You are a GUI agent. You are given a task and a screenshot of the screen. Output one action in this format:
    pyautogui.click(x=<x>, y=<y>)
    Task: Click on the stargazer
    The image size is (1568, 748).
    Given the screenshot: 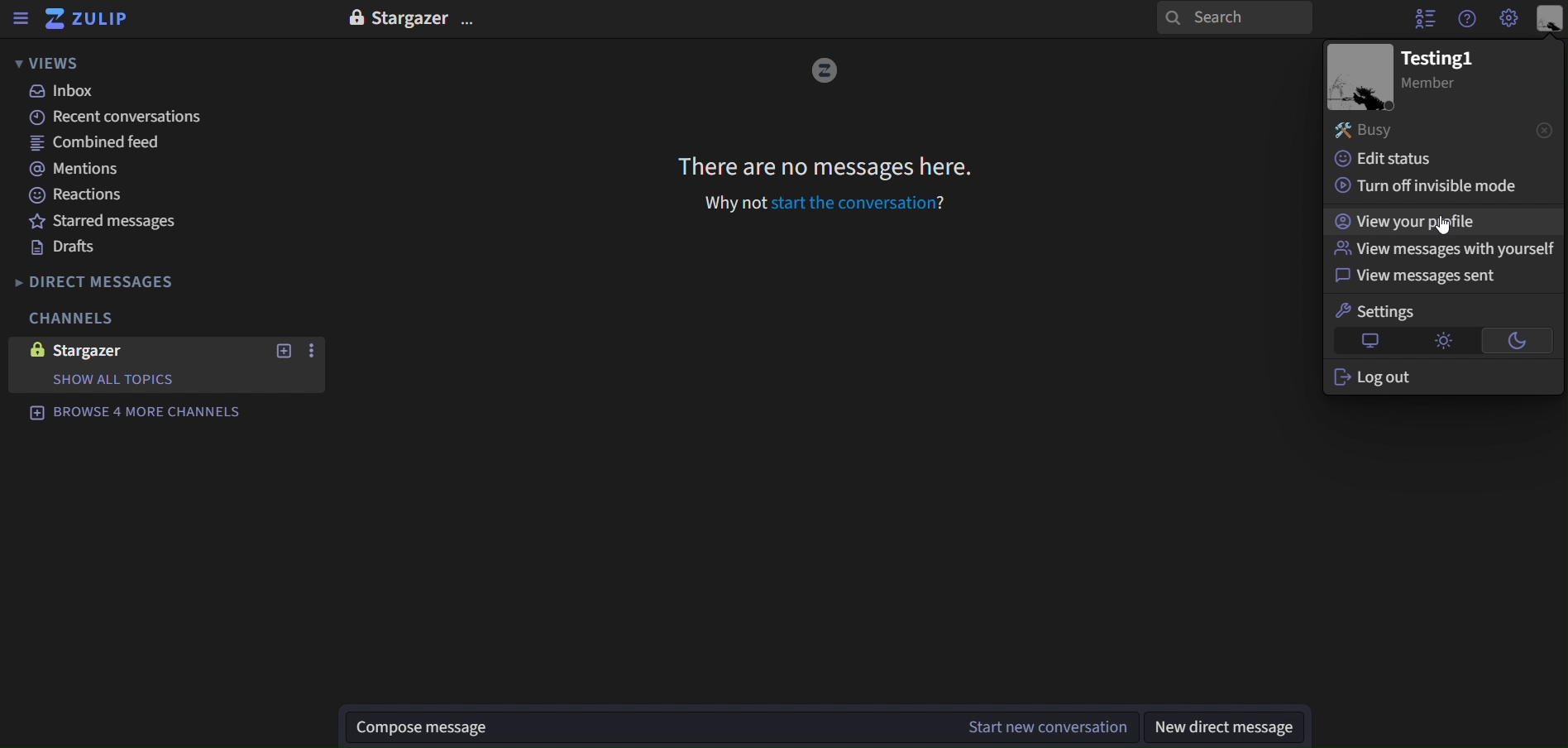 What is the action you would take?
    pyautogui.click(x=78, y=349)
    